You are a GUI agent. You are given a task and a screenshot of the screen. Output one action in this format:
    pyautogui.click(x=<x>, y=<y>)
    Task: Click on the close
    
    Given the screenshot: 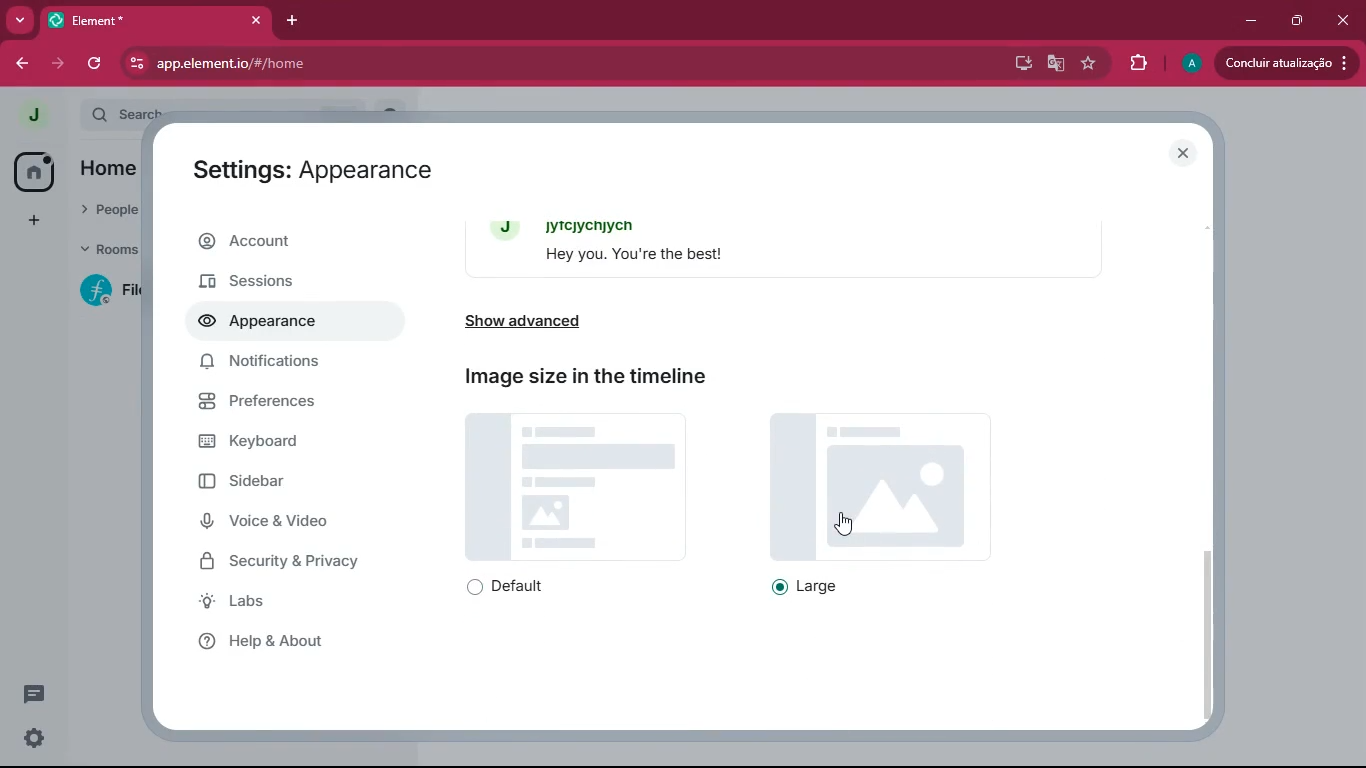 What is the action you would take?
    pyautogui.click(x=1340, y=19)
    